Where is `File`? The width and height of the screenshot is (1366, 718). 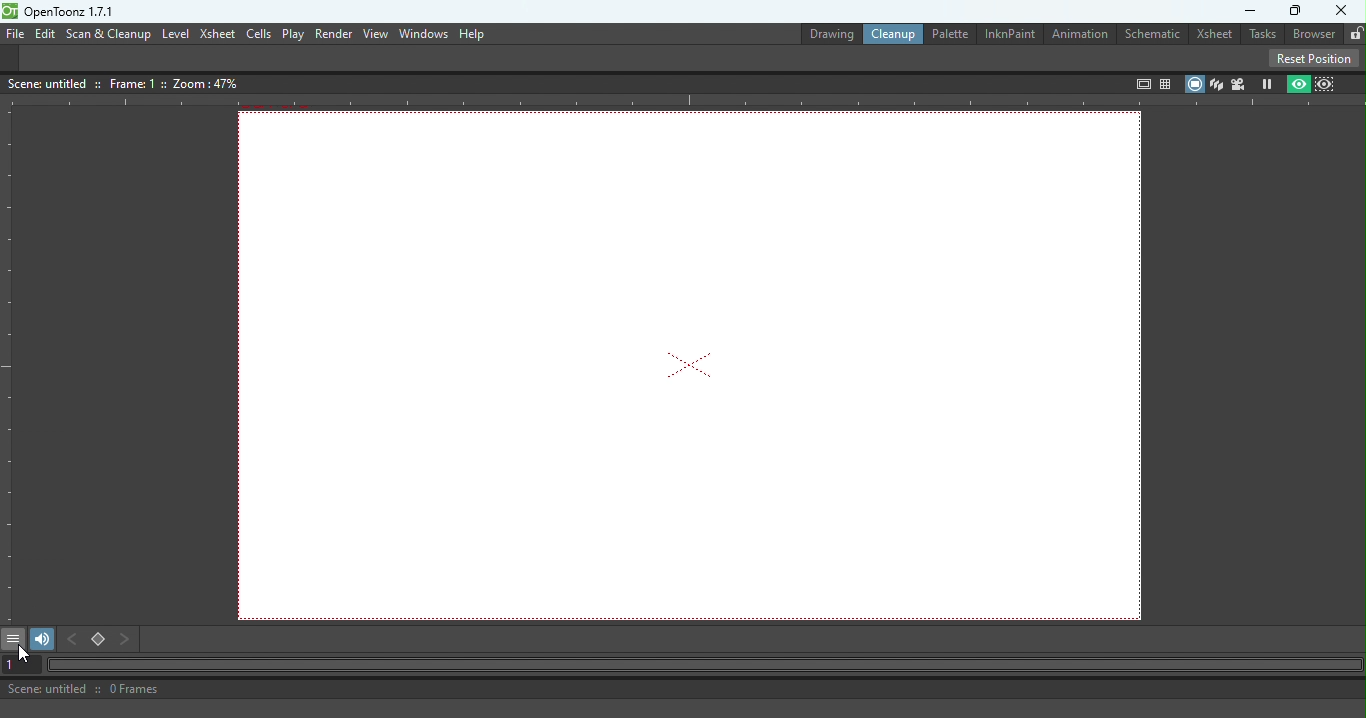
File is located at coordinates (13, 34).